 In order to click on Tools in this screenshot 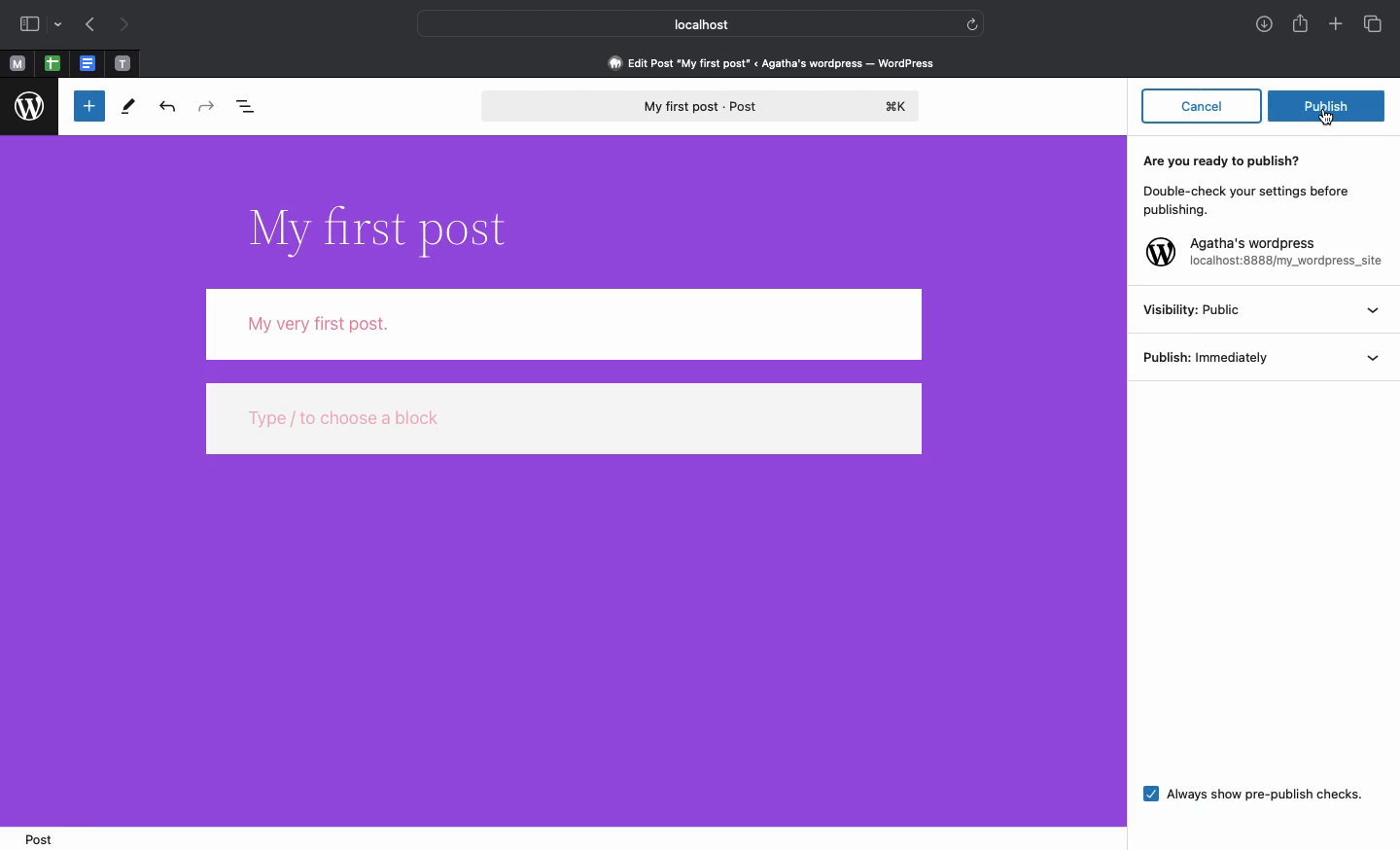, I will do `click(130, 107)`.